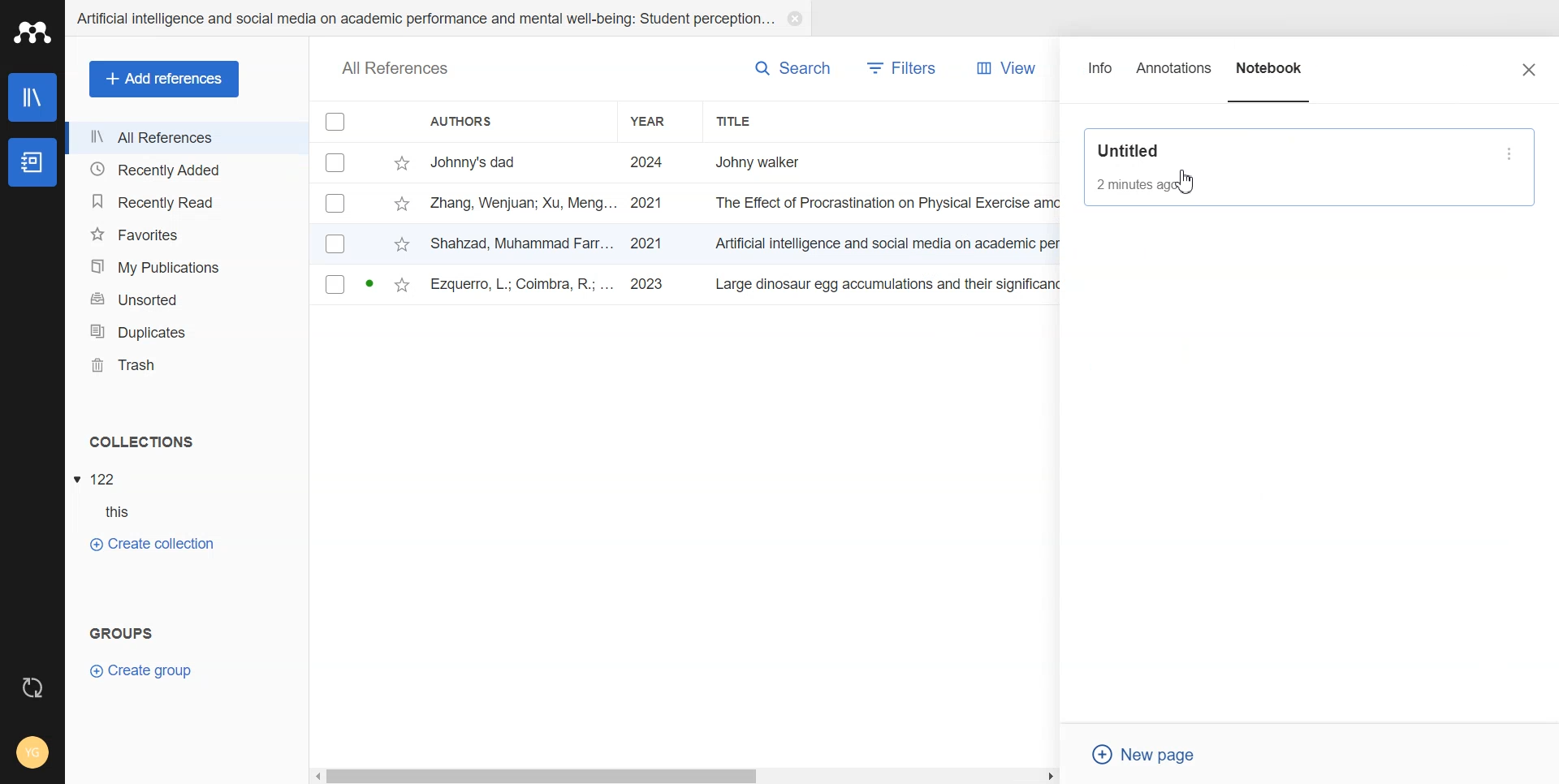  I want to click on all references, so click(395, 70).